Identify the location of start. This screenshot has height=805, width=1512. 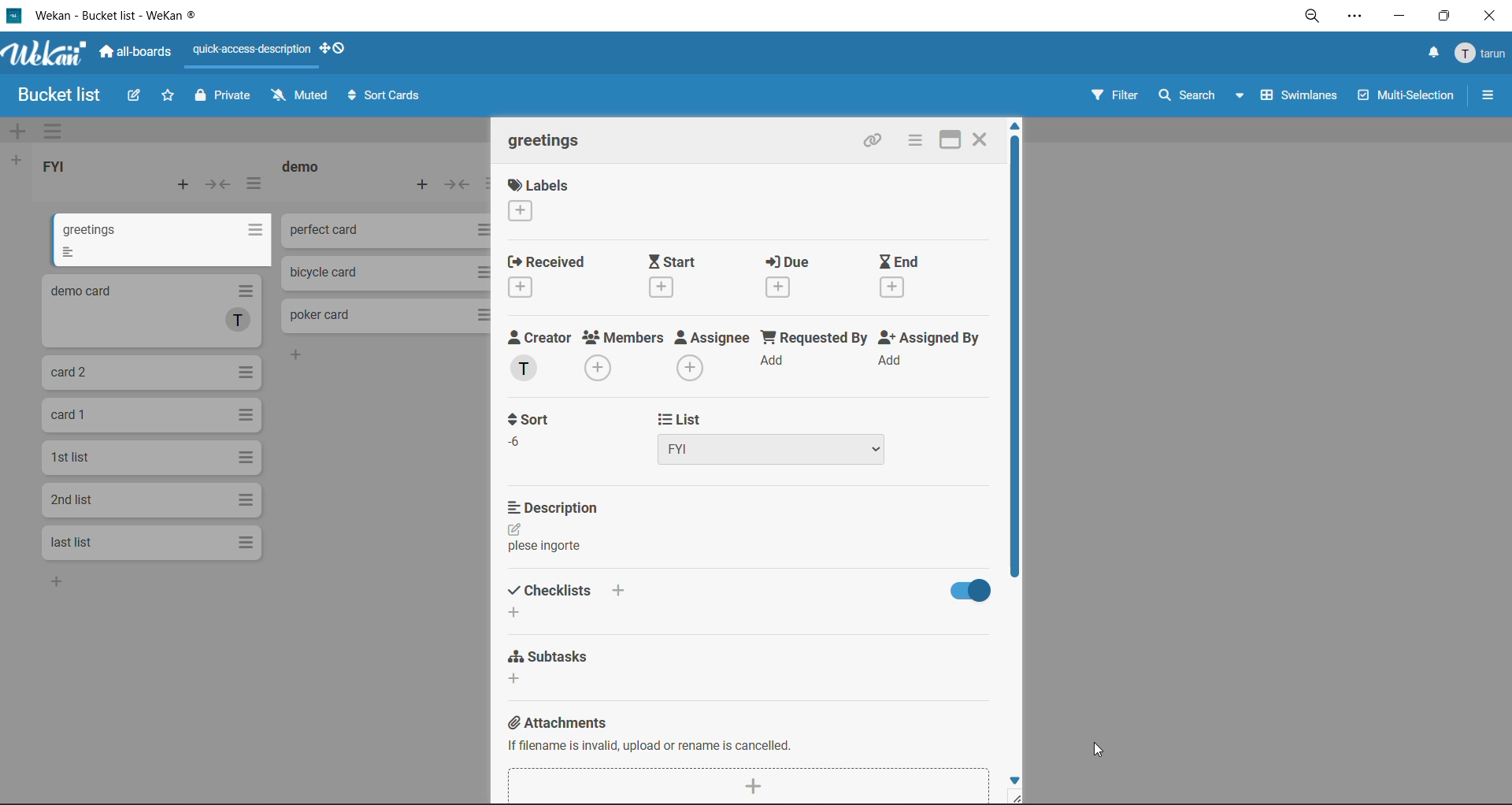
(673, 275).